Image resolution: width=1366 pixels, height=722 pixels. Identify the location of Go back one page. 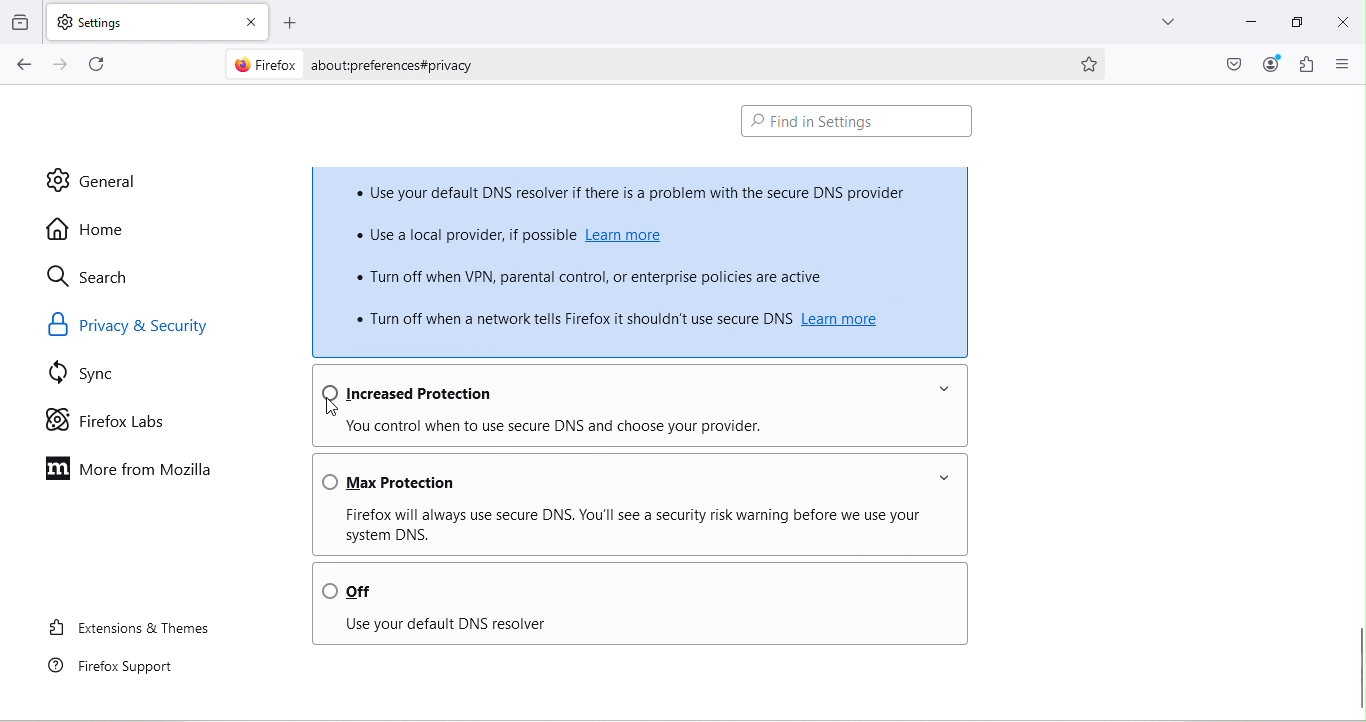
(21, 65).